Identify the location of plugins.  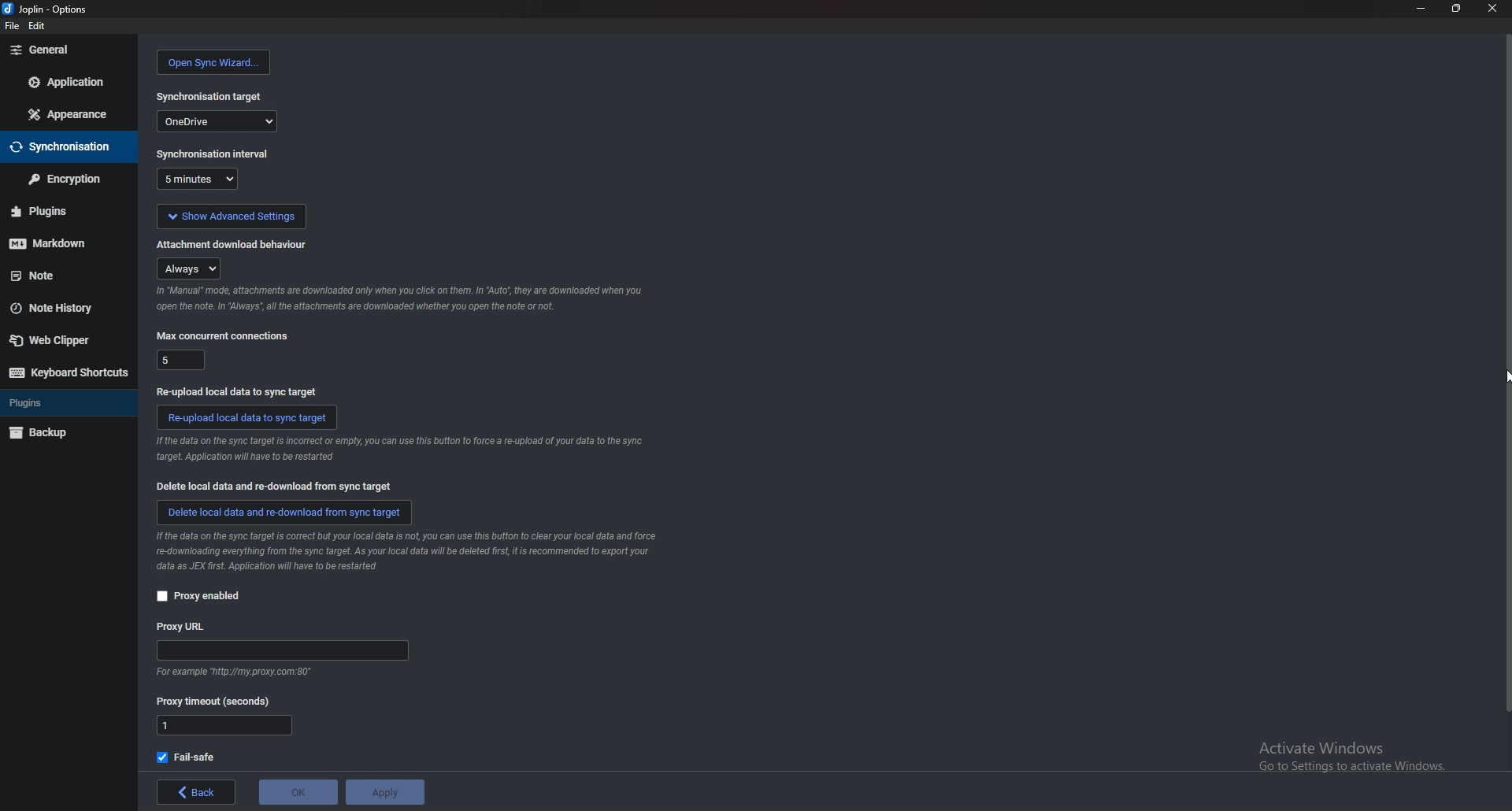
(61, 405).